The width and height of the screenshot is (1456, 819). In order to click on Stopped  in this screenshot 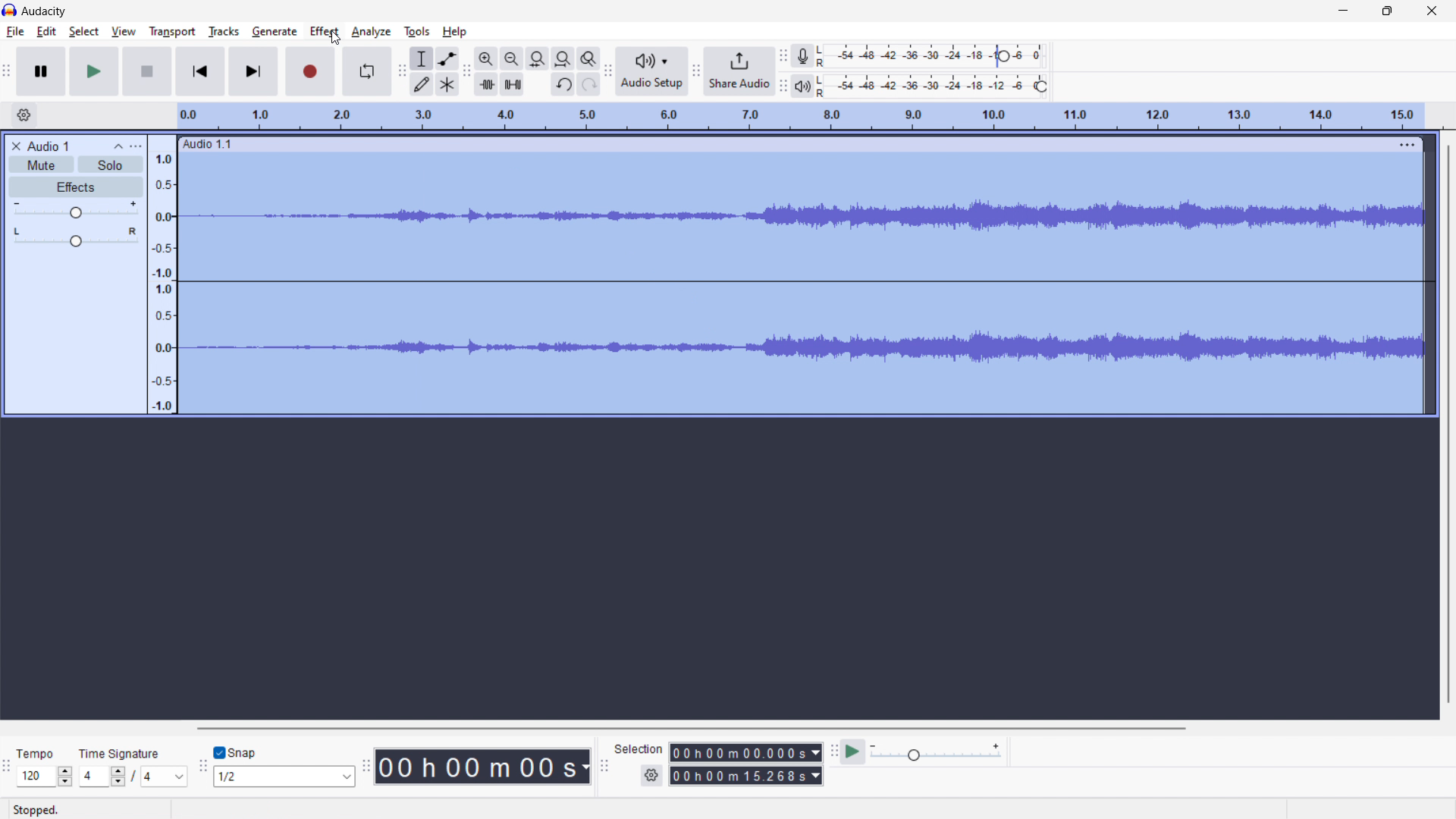, I will do `click(39, 810)`.